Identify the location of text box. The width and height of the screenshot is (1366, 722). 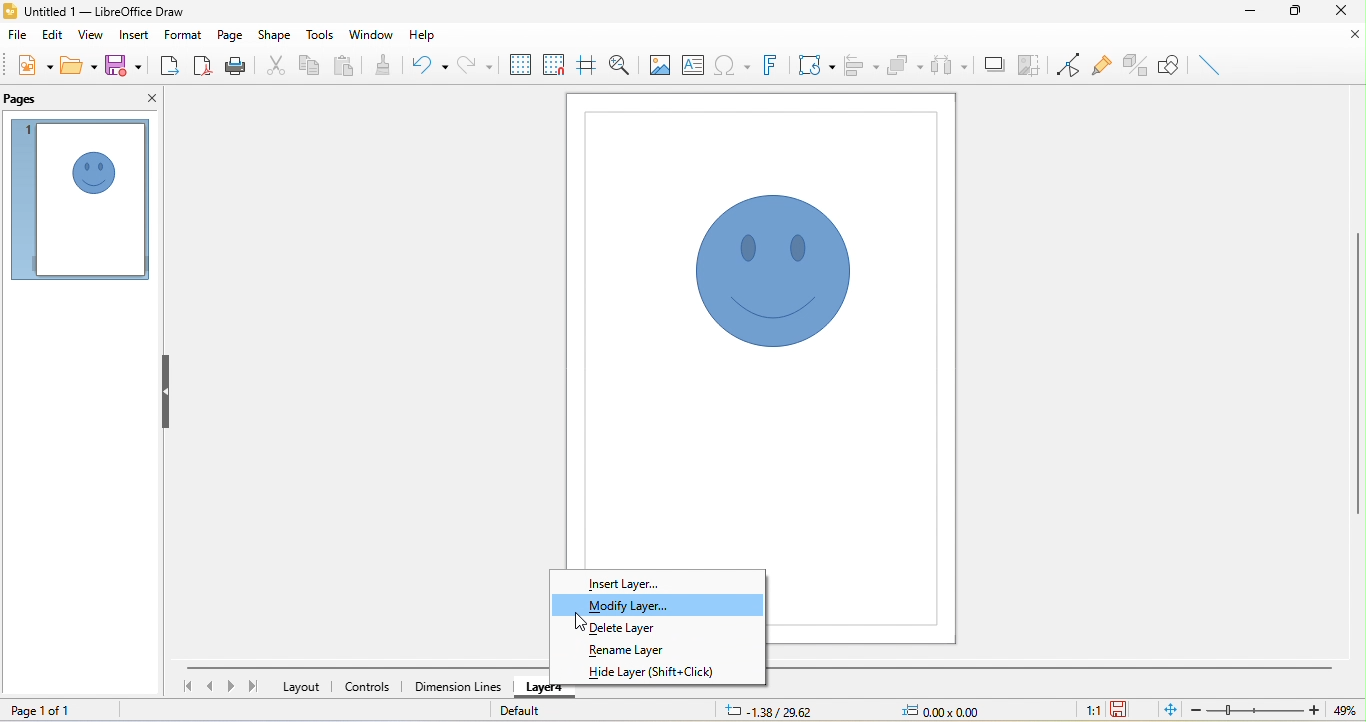
(695, 63).